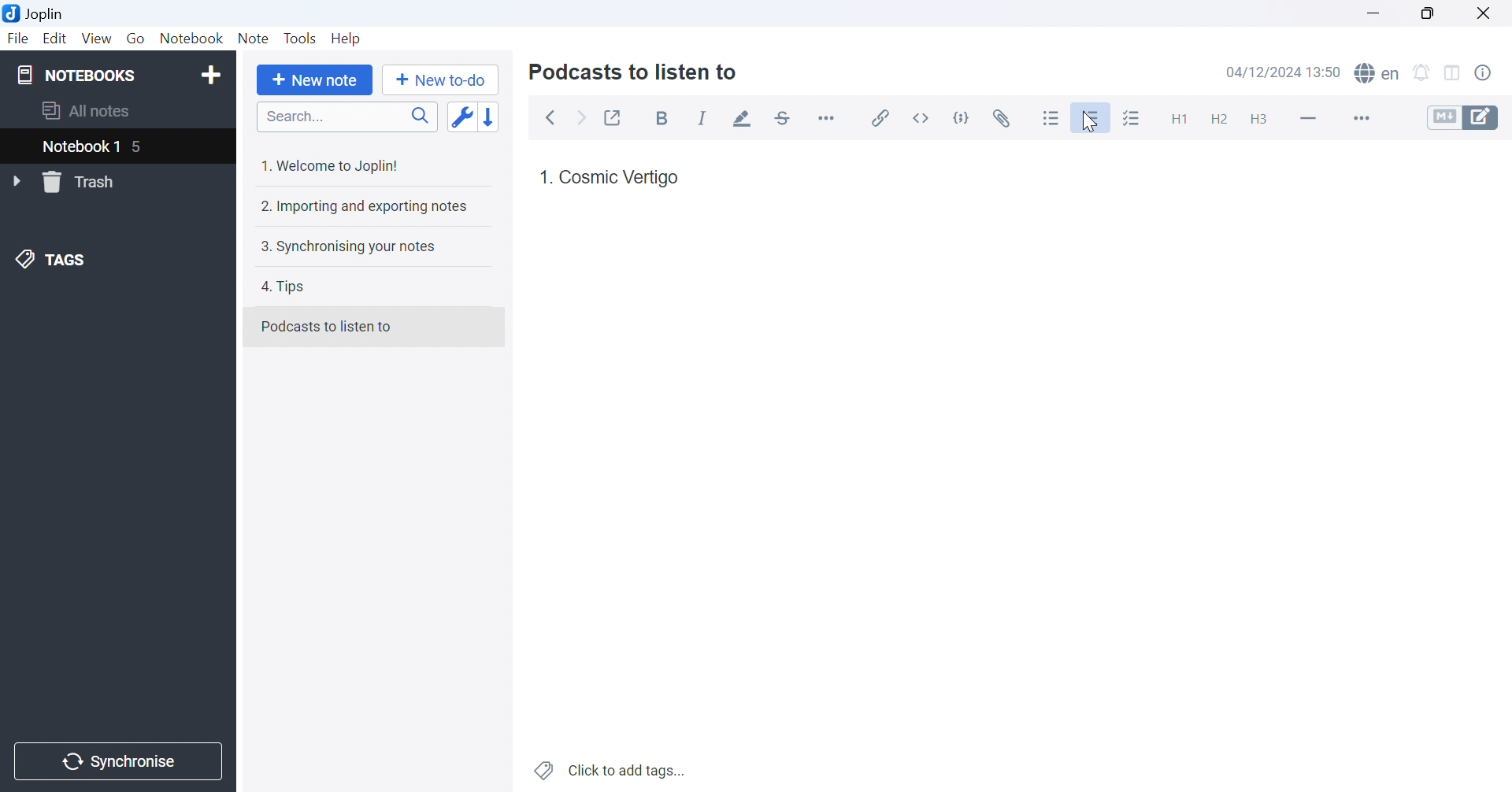 The width and height of the screenshot is (1512, 792). I want to click on 1., so click(544, 175).